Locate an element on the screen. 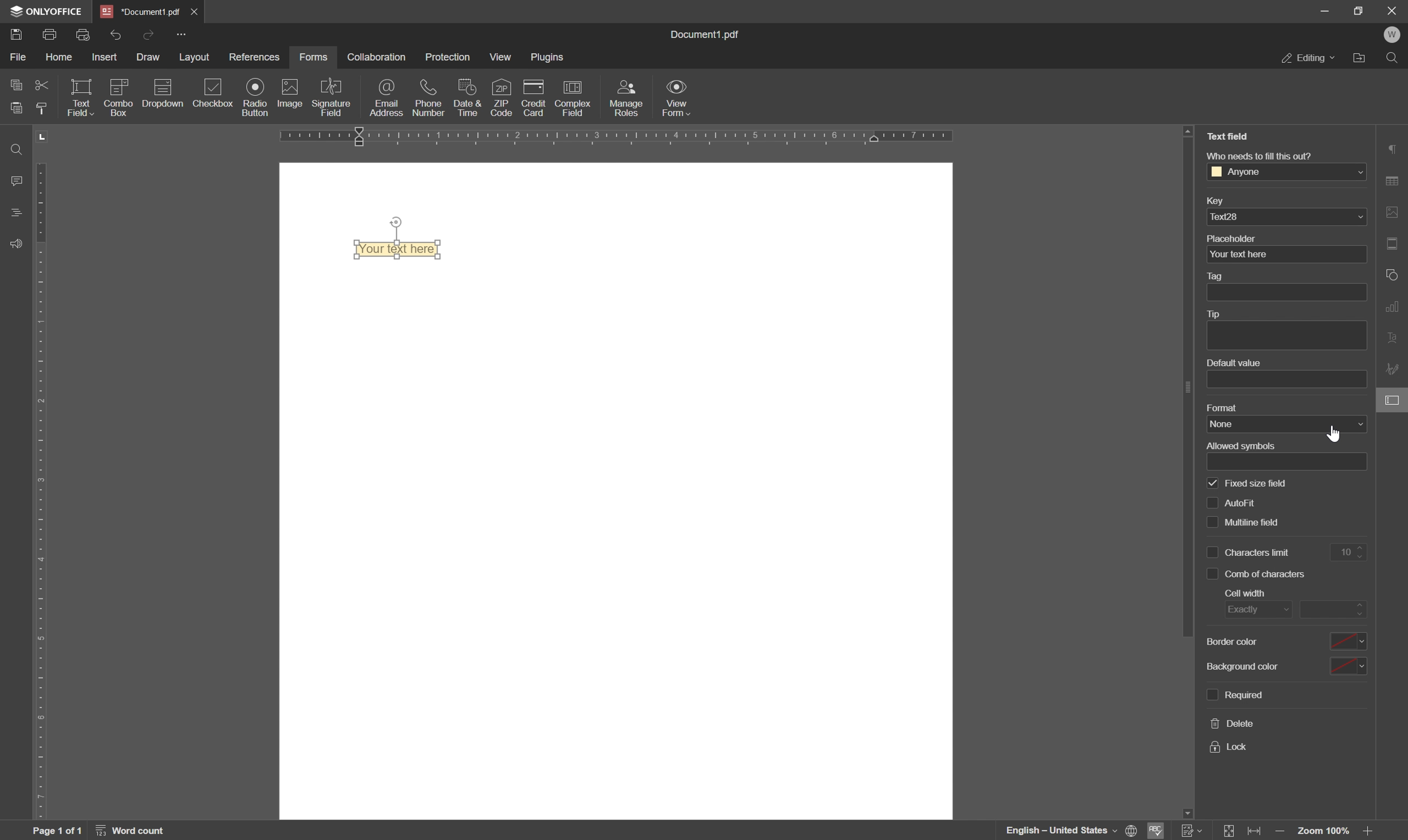 The image size is (1408, 840). Who needs to fill this out? is located at coordinates (1264, 155).